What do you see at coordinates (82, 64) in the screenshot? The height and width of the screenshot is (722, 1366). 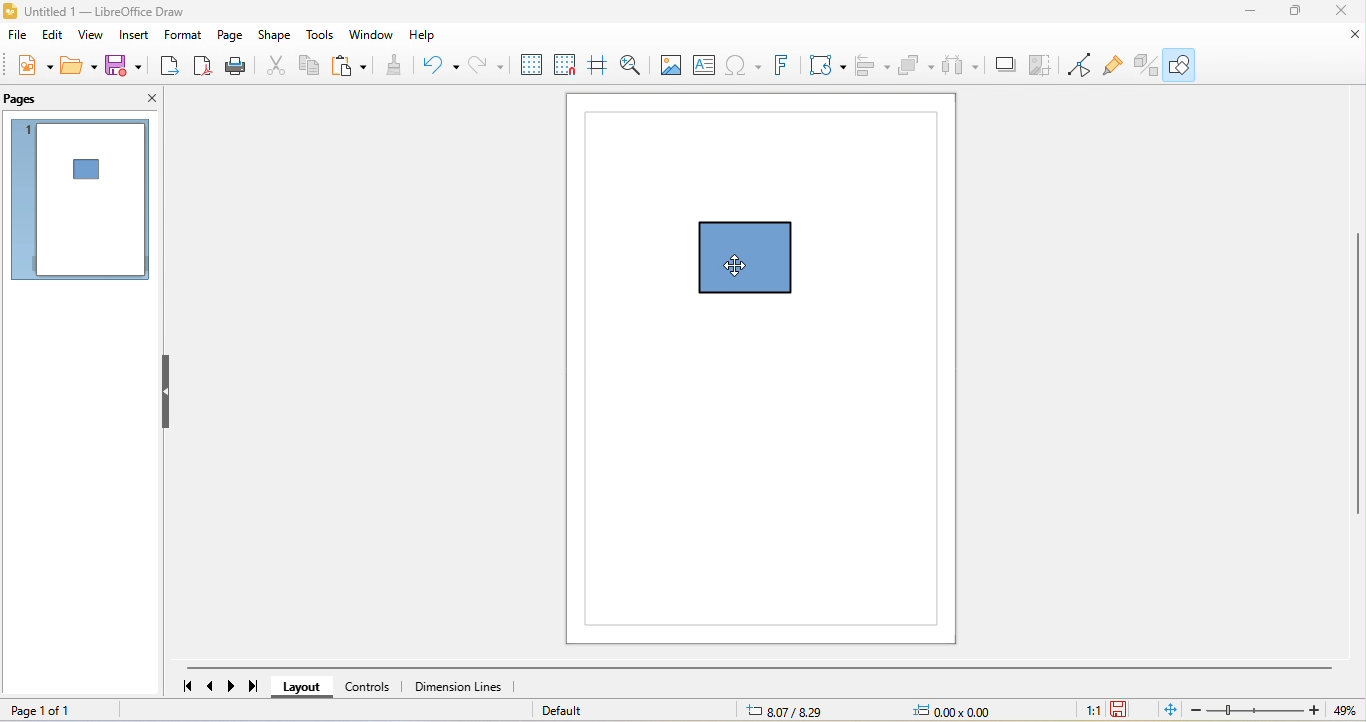 I see `open` at bounding box center [82, 64].